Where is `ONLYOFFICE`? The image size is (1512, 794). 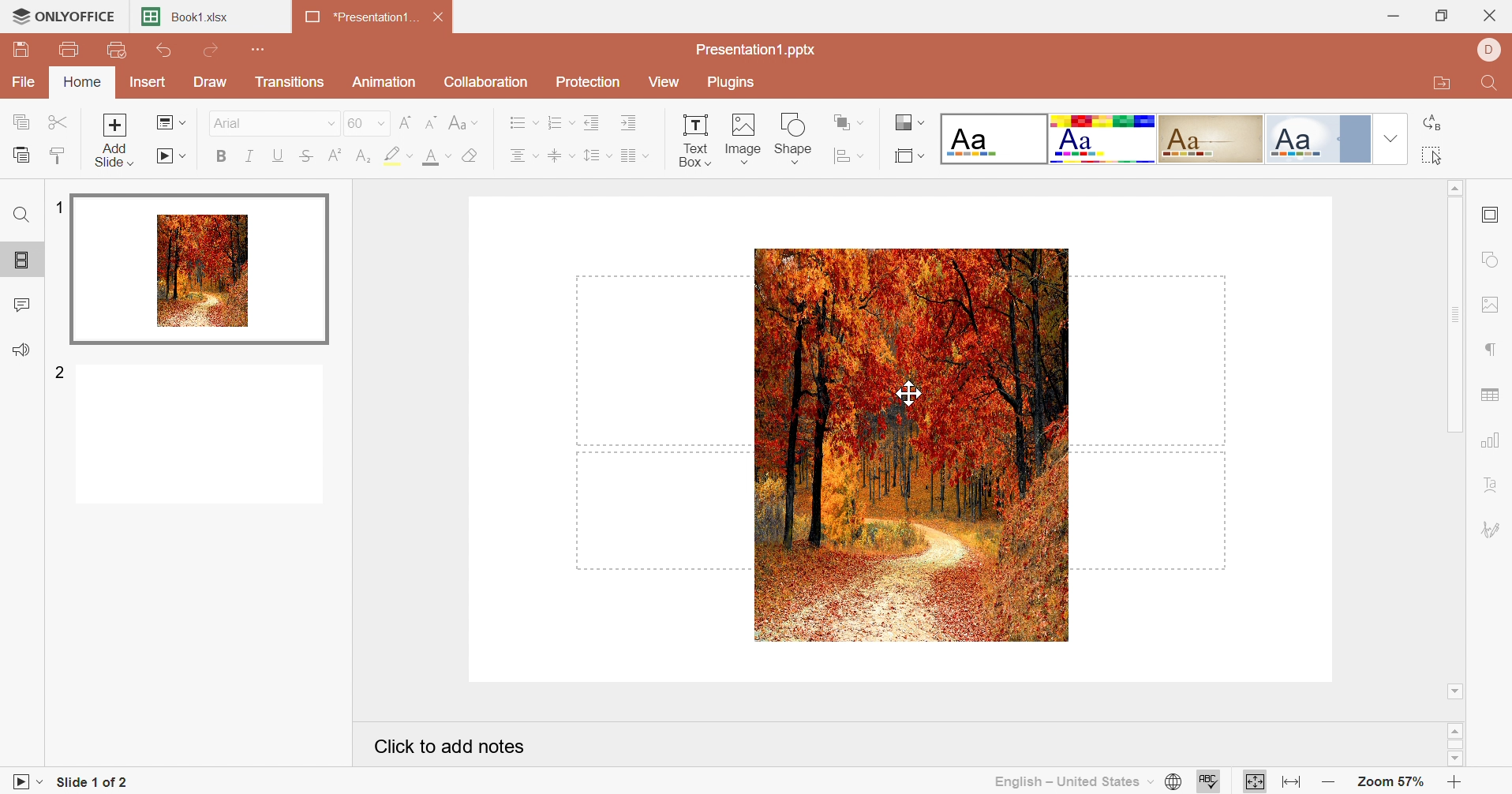
ONLYOFFICE is located at coordinates (65, 15).